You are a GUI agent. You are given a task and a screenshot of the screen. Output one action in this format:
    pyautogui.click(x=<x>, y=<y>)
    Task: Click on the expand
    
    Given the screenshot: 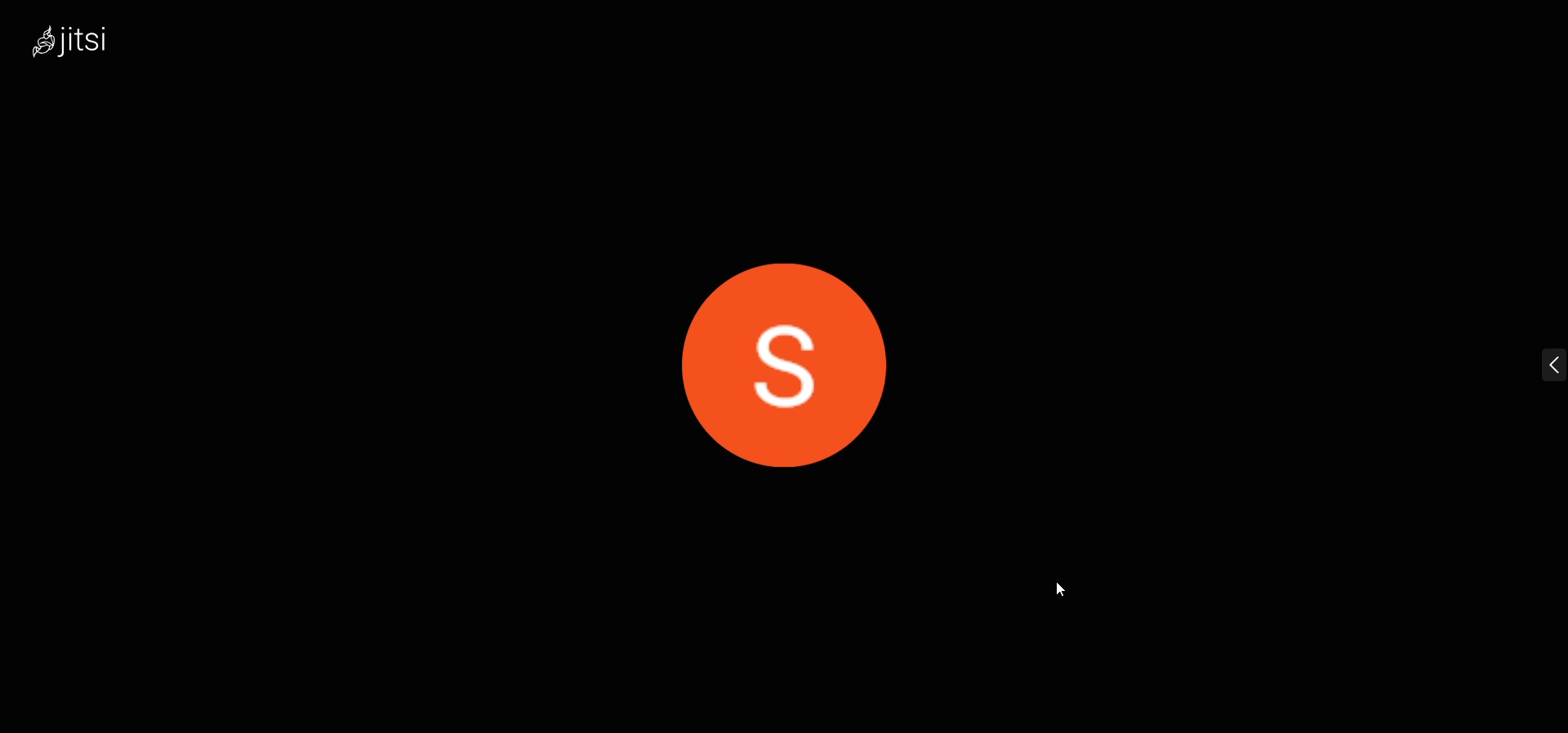 What is the action you would take?
    pyautogui.click(x=1532, y=364)
    